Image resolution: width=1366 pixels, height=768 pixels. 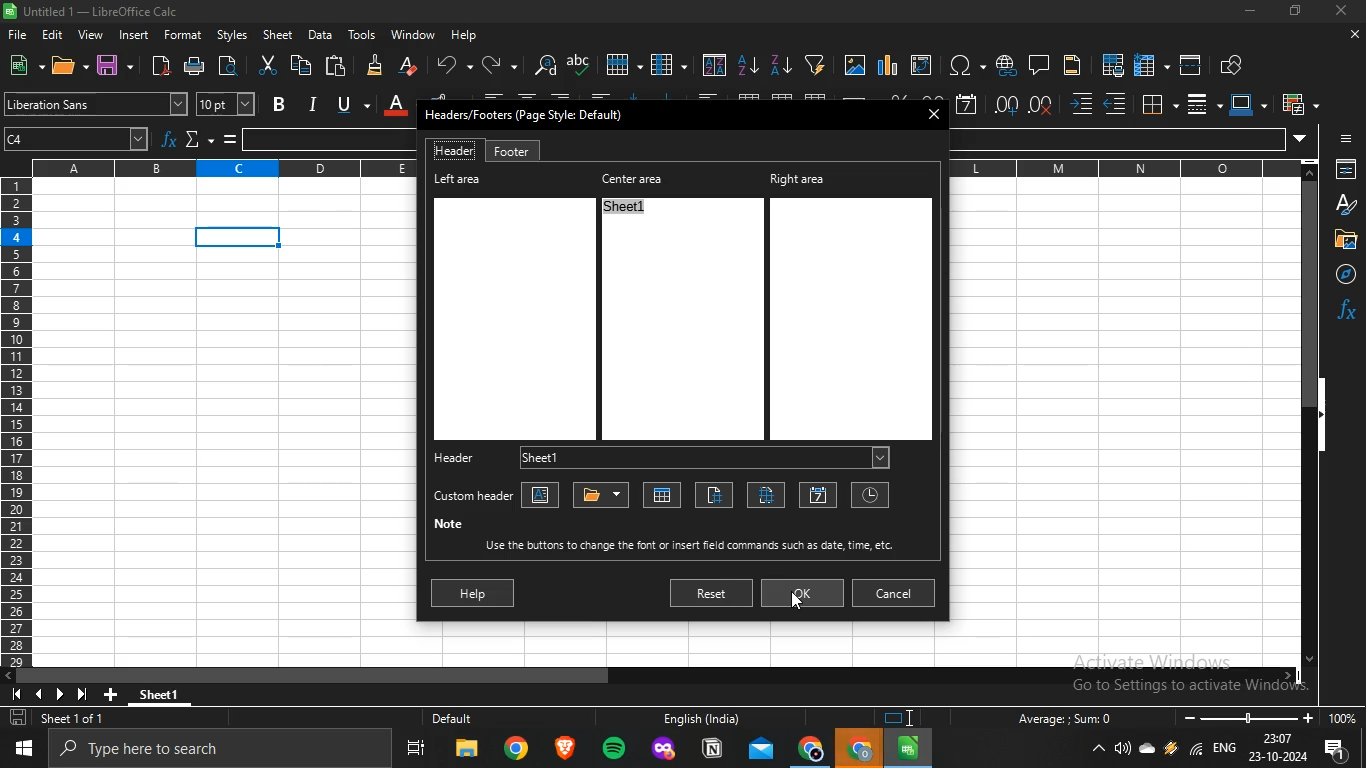 What do you see at coordinates (867, 494) in the screenshot?
I see `tiime` at bounding box center [867, 494].